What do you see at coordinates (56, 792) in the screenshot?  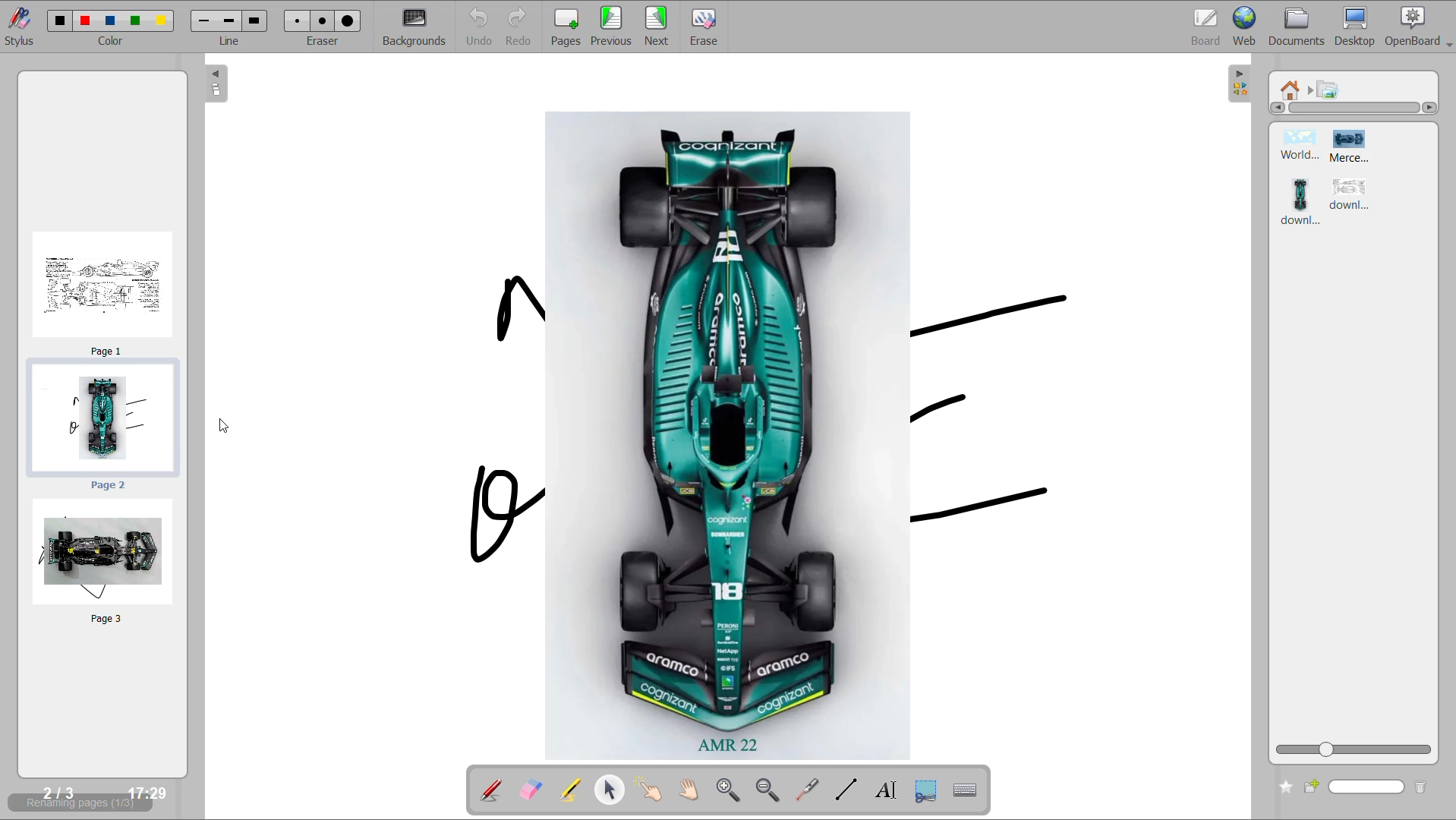 I see `2/3` at bounding box center [56, 792].